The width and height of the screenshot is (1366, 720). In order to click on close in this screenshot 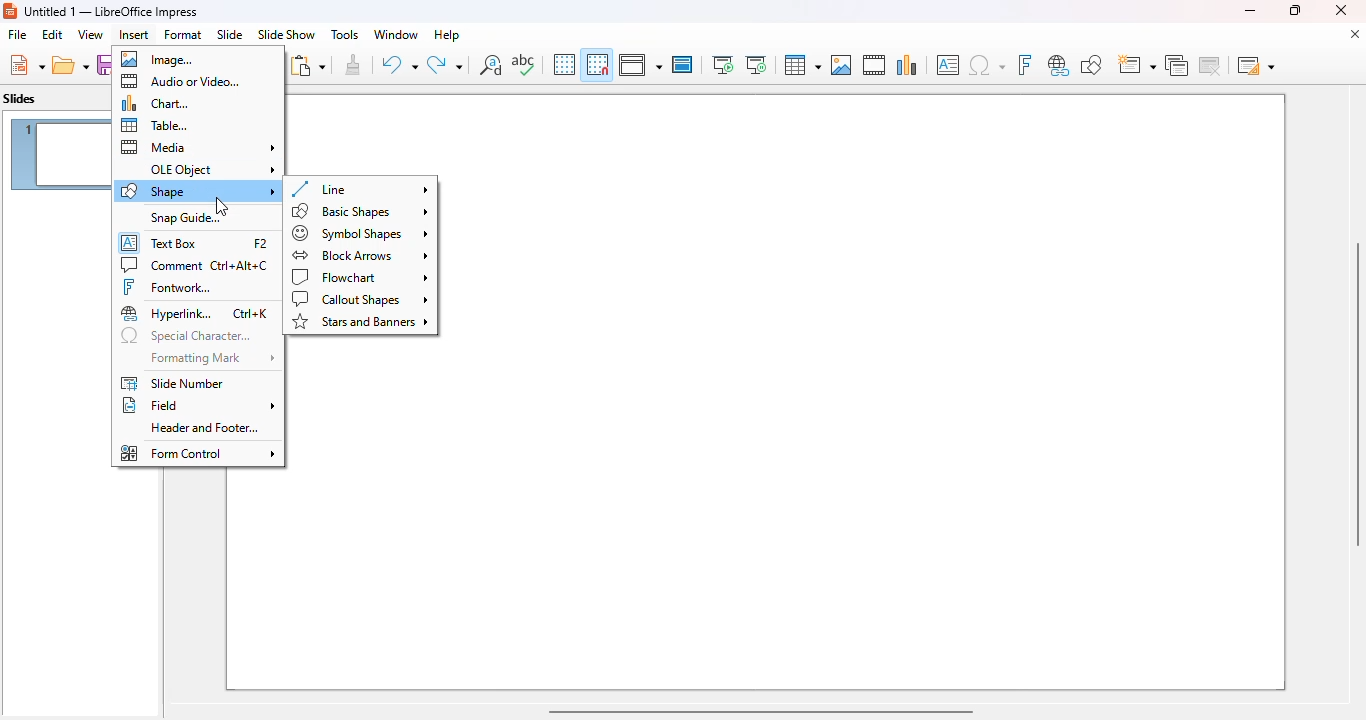, I will do `click(1341, 10)`.